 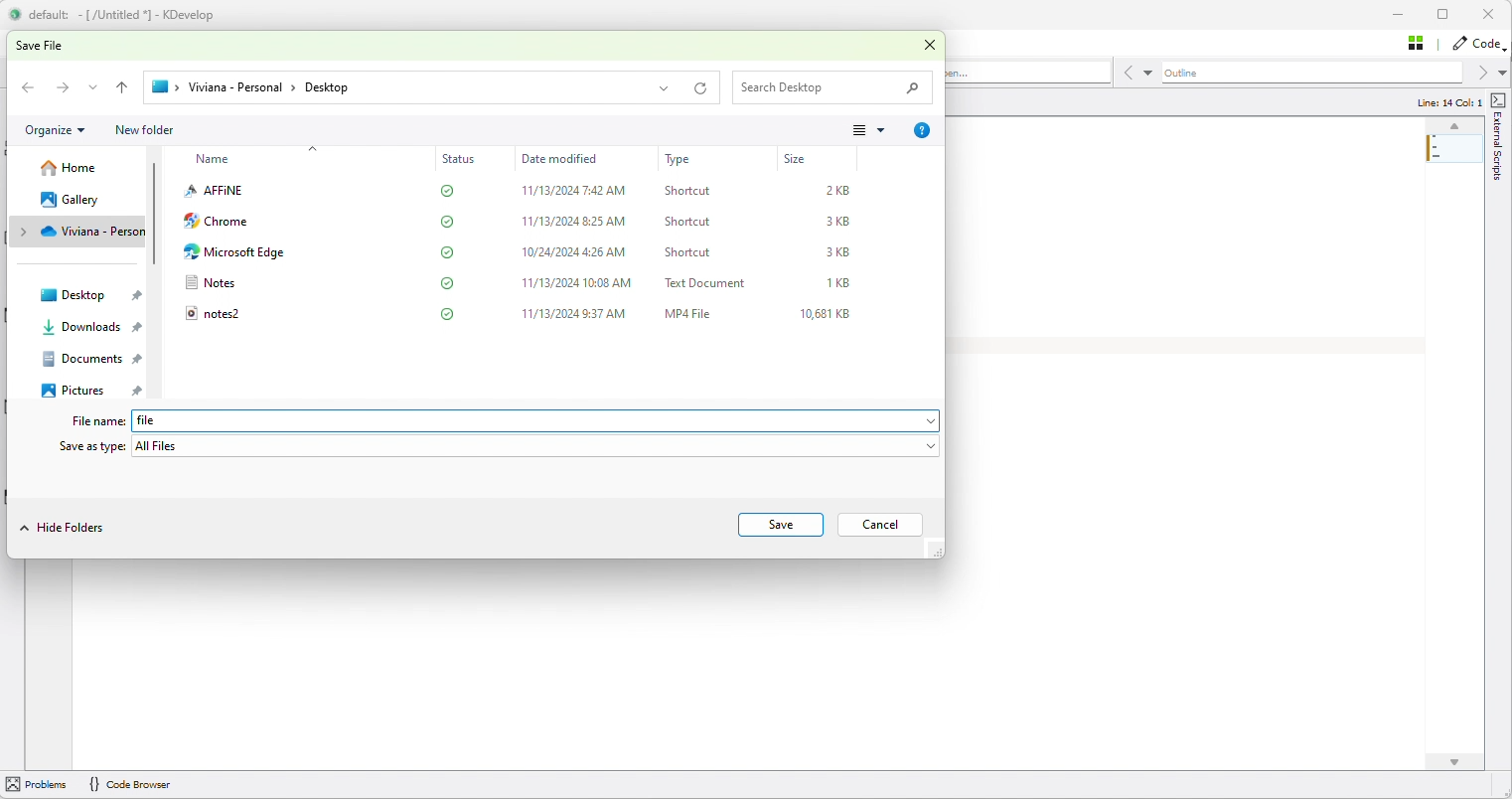 What do you see at coordinates (688, 191) in the screenshot?
I see `Shortcut` at bounding box center [688, 191].